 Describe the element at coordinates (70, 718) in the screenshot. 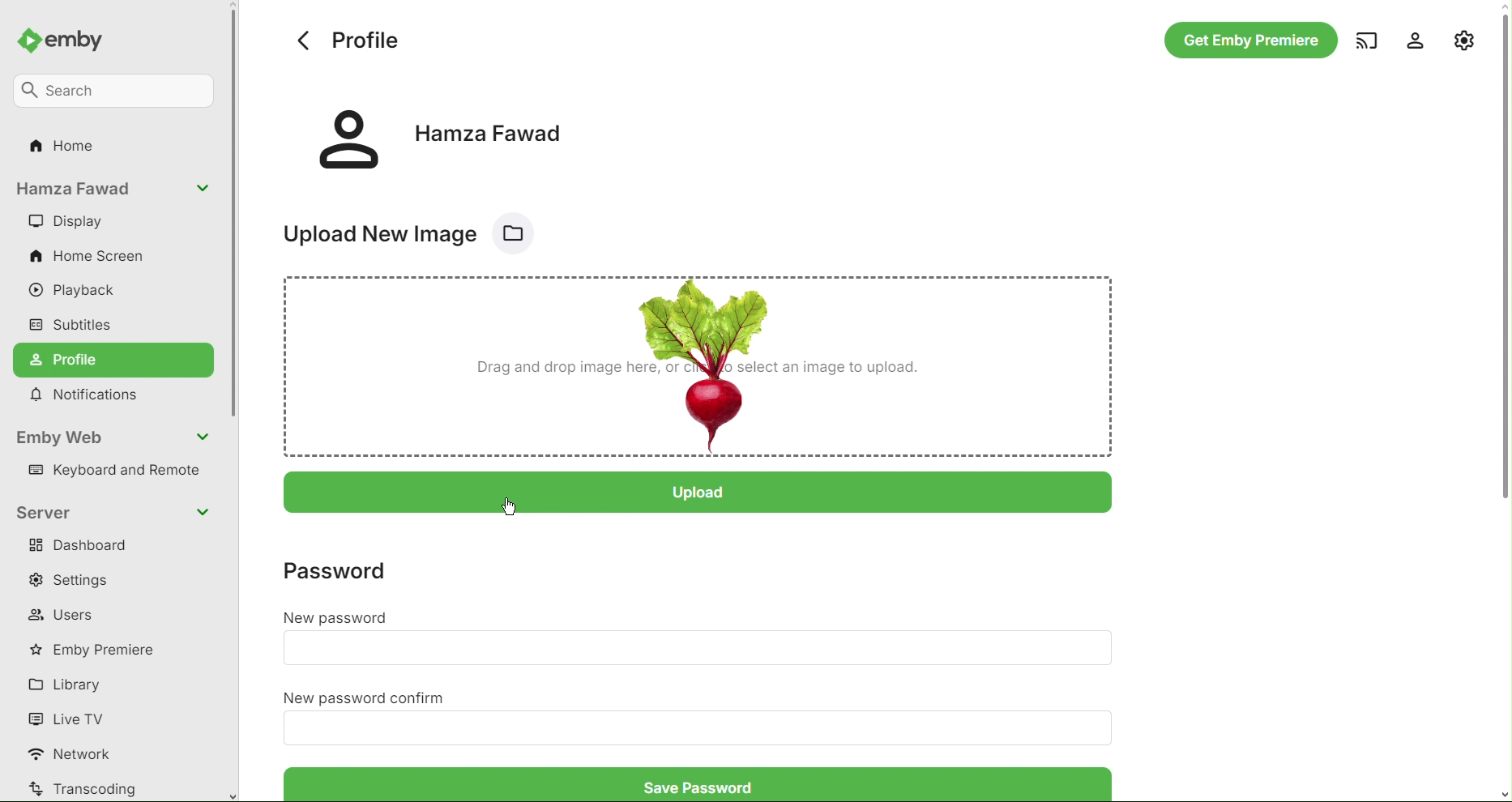

I see `Live TV` at that location.